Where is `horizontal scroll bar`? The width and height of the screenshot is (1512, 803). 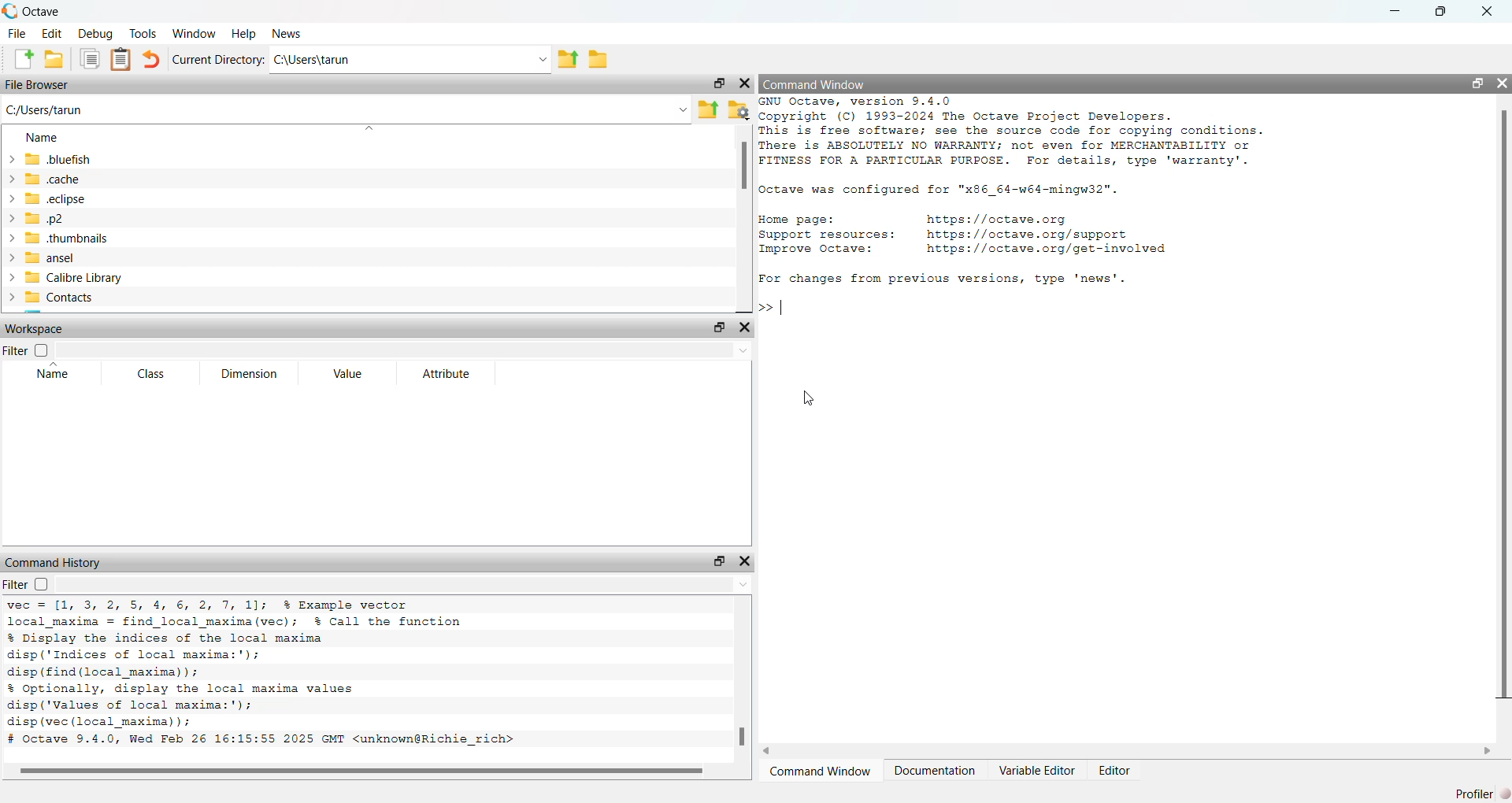 horizontal scroll bar is located at coordinates (1127, 751).